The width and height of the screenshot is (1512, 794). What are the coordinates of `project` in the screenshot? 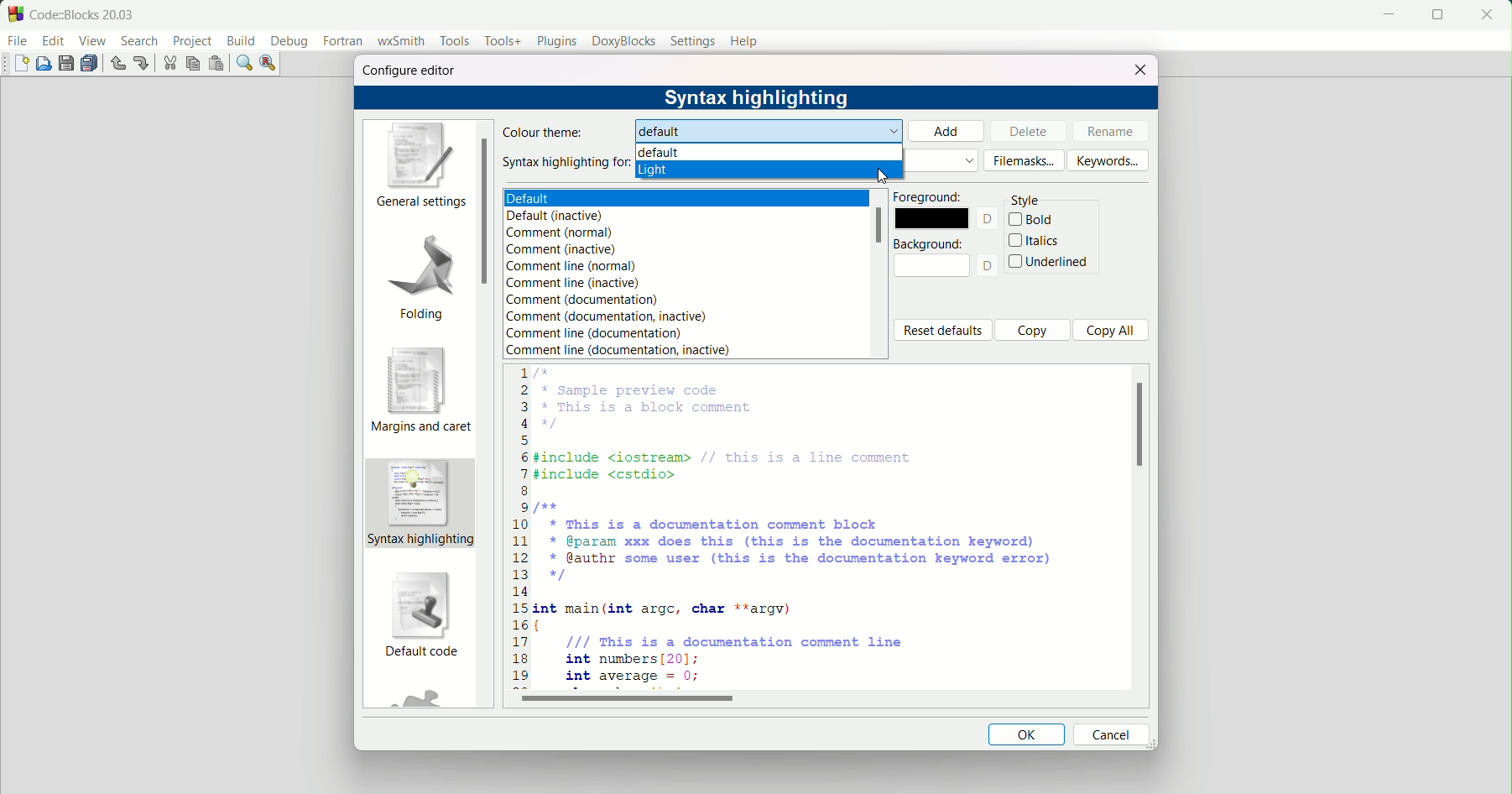 It's located at (191, 42).